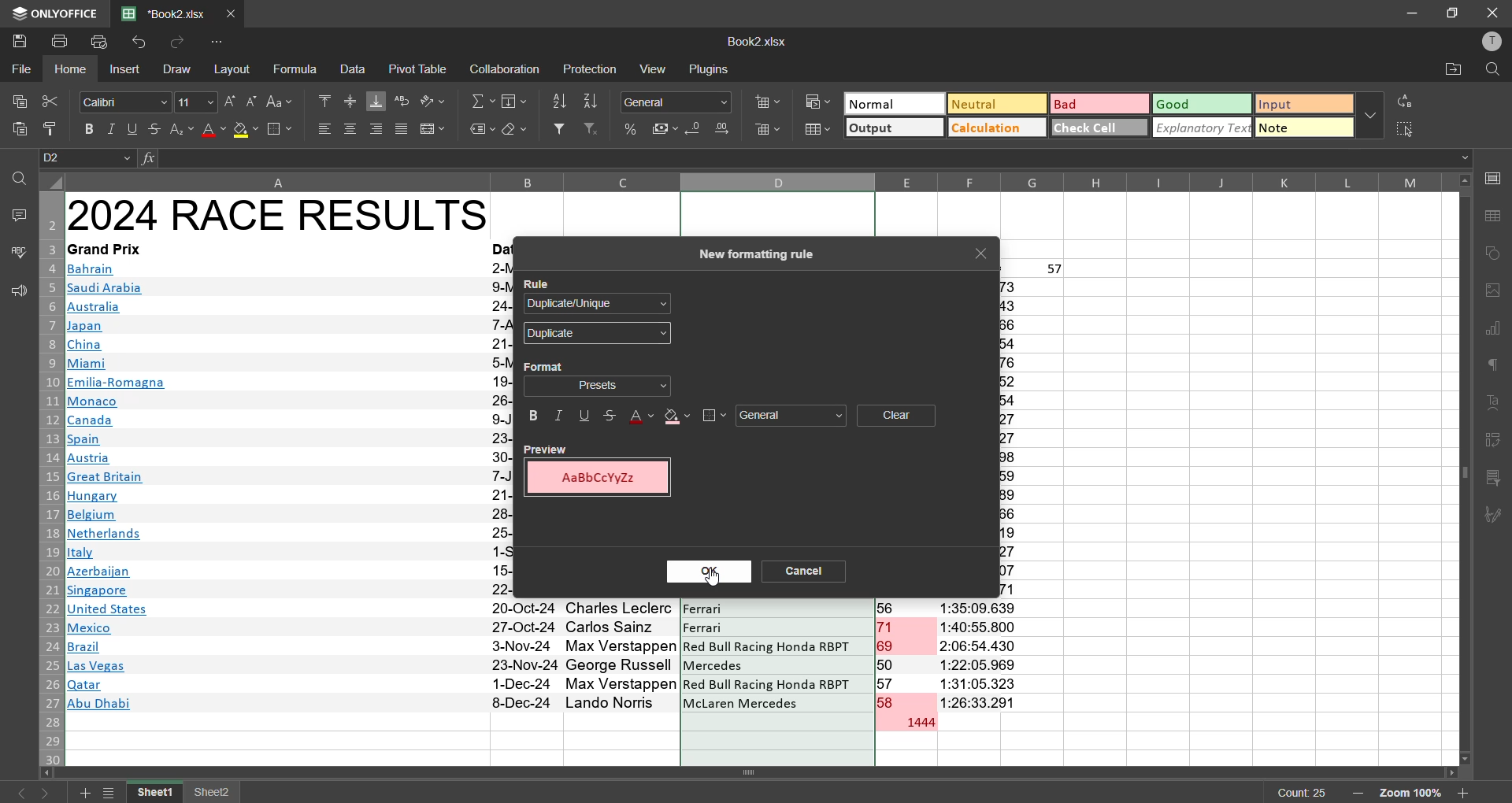 Image resolution: width=1512 pixels, height=803 pixels. Describe the element at coordinates (180, 128) in the screenshot. I see `sub/superscript` at that location.